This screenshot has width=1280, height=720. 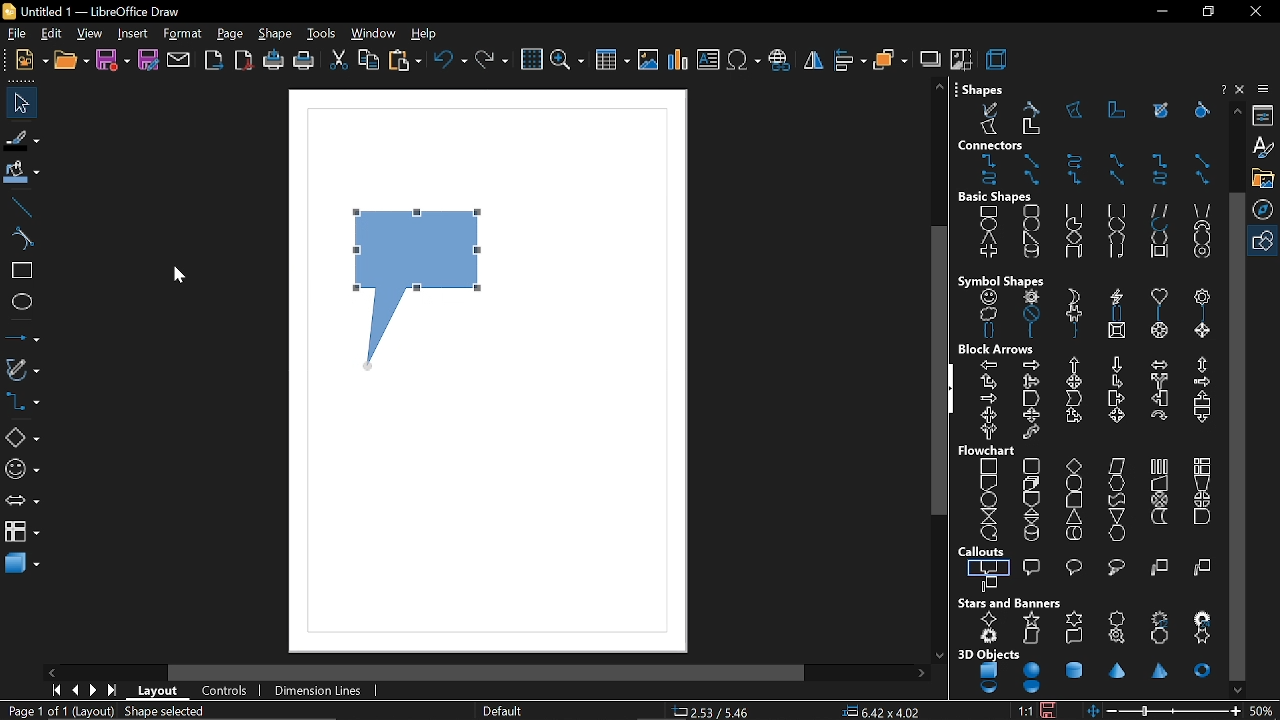 What do you see at coordinates (1162, 672) in the screenshot?
I see `pyramid` at bounding box center [1162, 672].